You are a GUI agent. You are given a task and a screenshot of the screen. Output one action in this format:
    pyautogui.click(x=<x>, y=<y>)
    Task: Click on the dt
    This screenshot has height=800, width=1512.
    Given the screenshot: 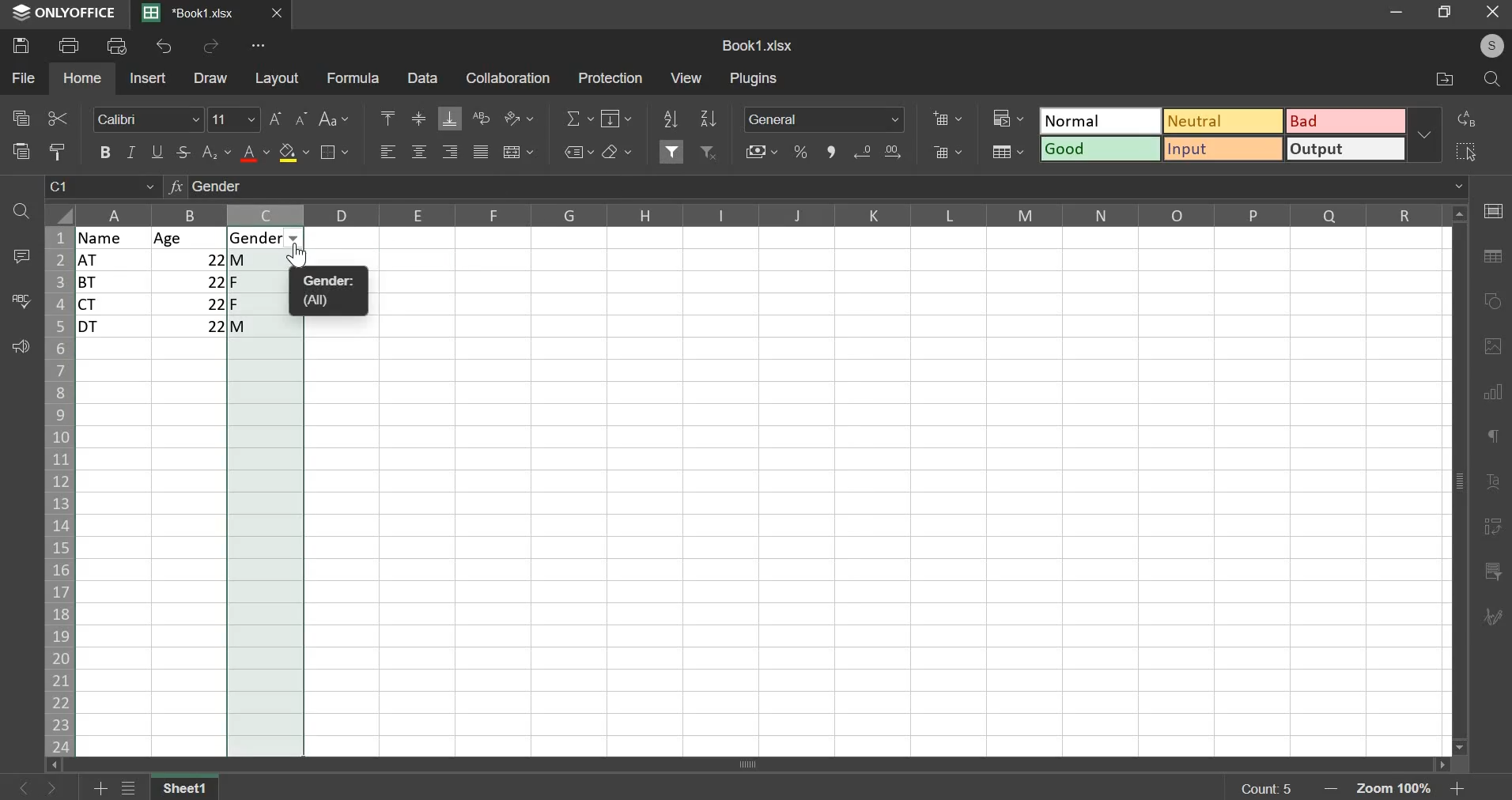 What is the action you would take?
    pyautogui.click(x=115, y=327)
    